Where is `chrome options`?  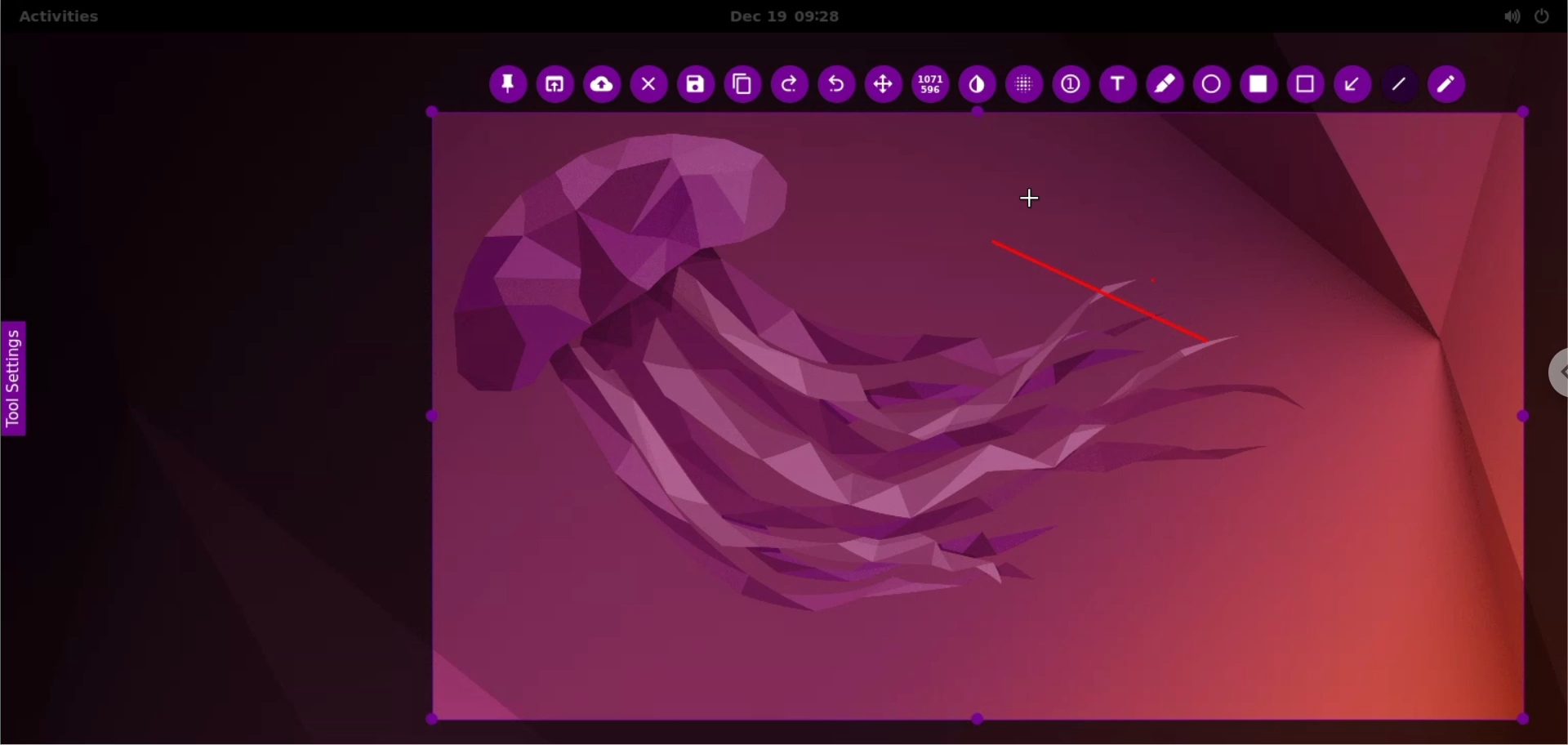 chrome options is located at coordinates (1549, 374).